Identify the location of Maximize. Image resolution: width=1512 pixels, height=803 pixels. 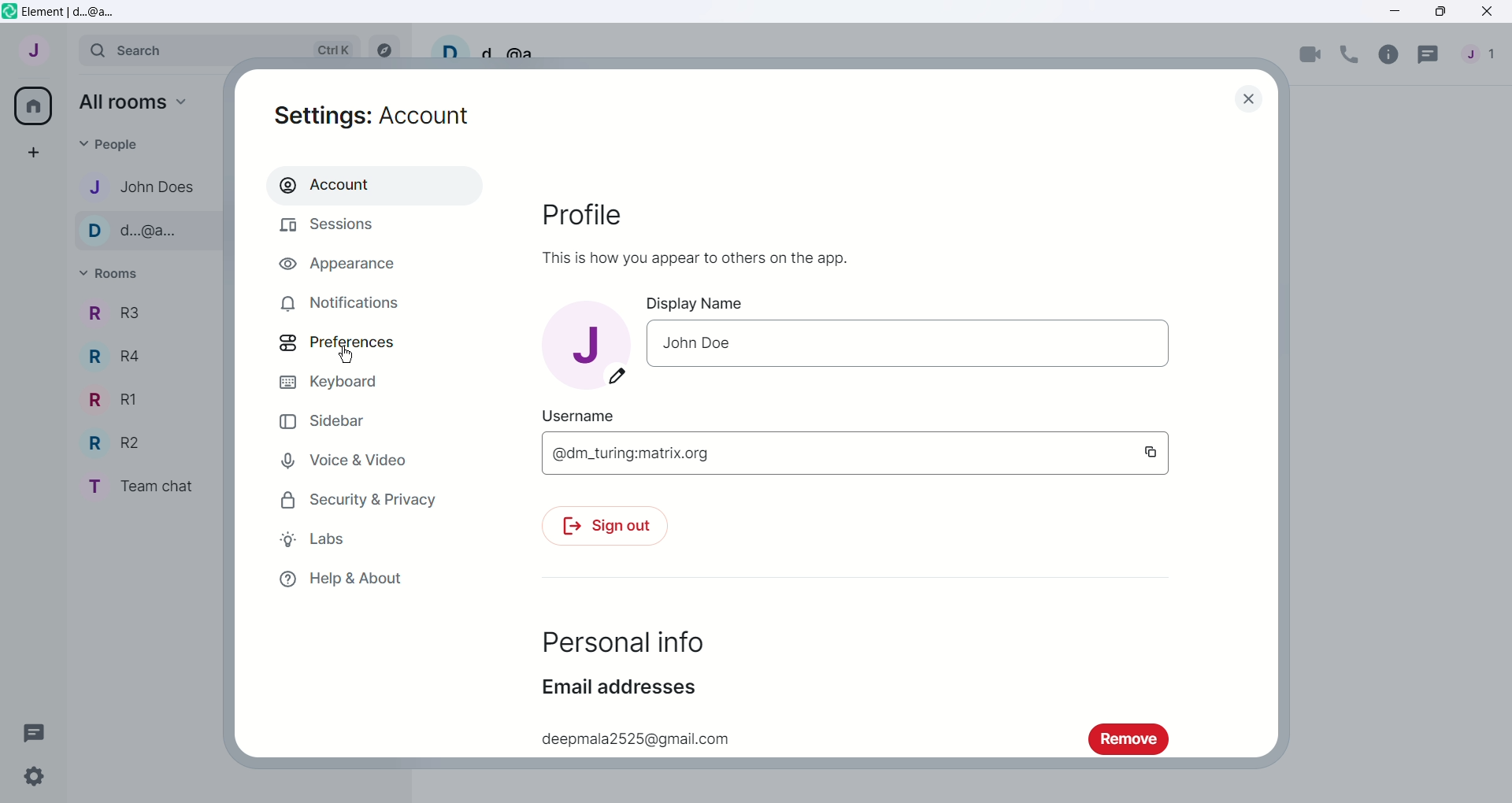
(1443, 11).